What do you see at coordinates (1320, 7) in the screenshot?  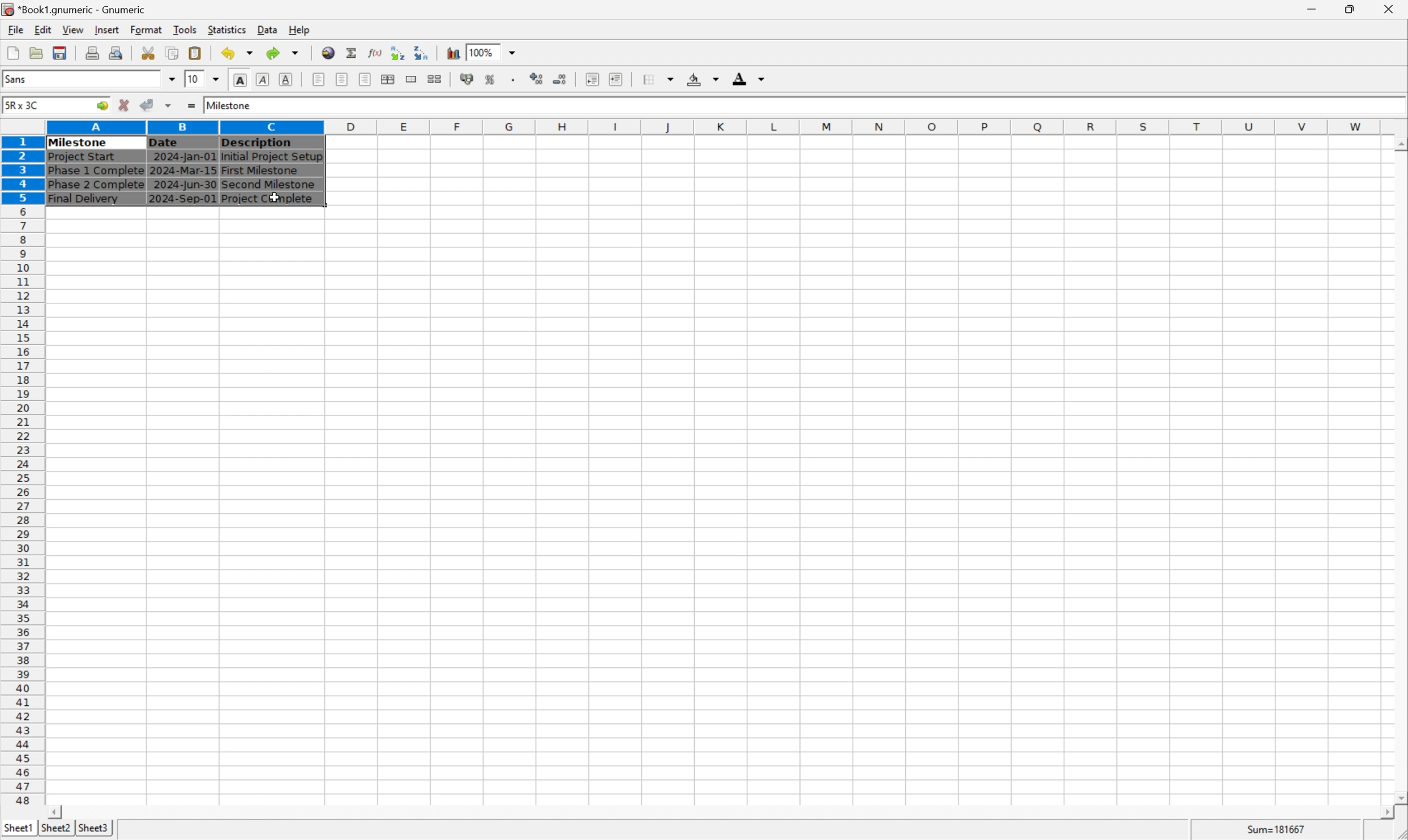 I see `minimize` at bounding box center [1320, 7].